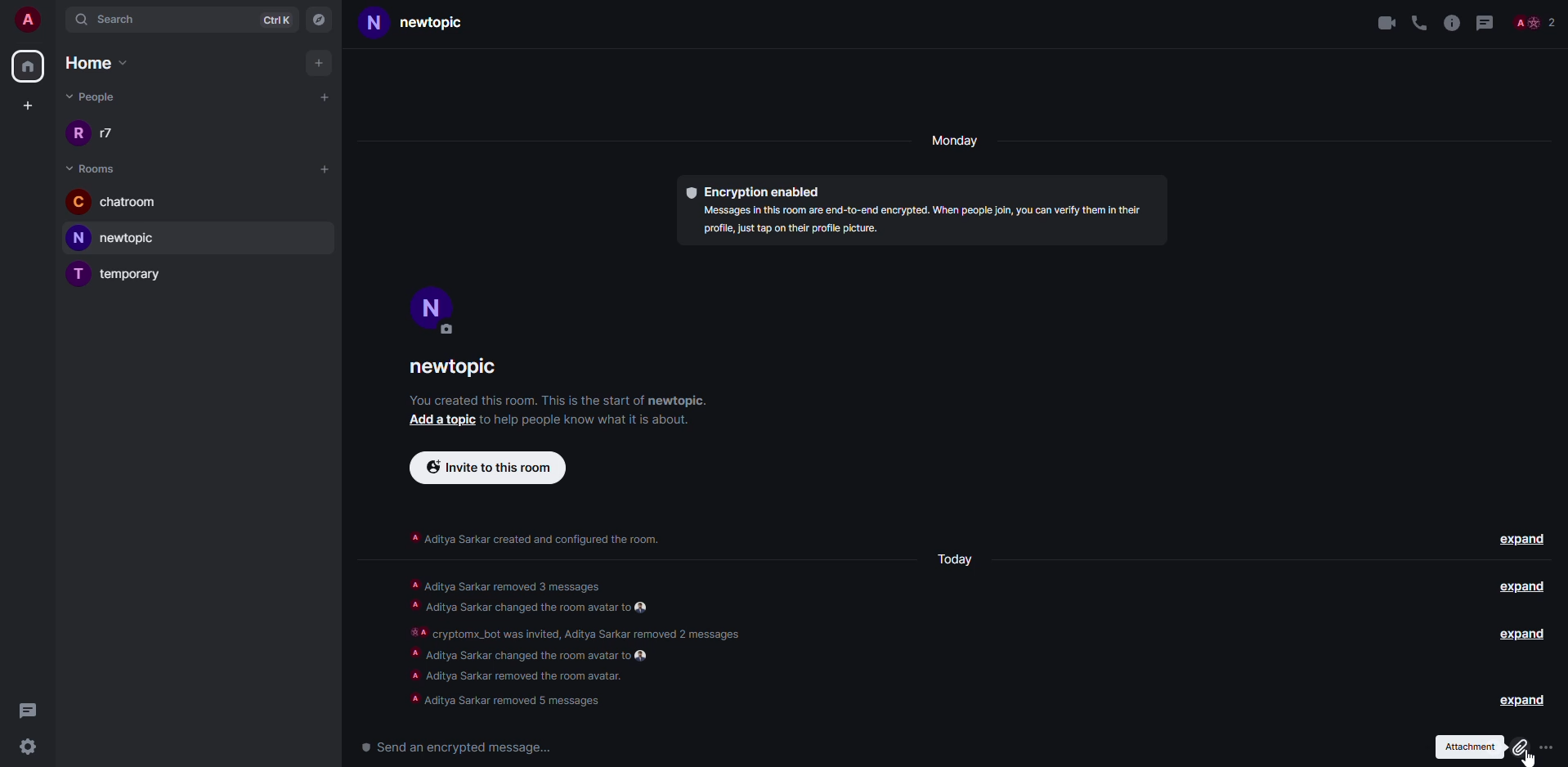 Image resolution: width=1568 pixels, height=767 pixels. I want to click on room, so click(122, 238).